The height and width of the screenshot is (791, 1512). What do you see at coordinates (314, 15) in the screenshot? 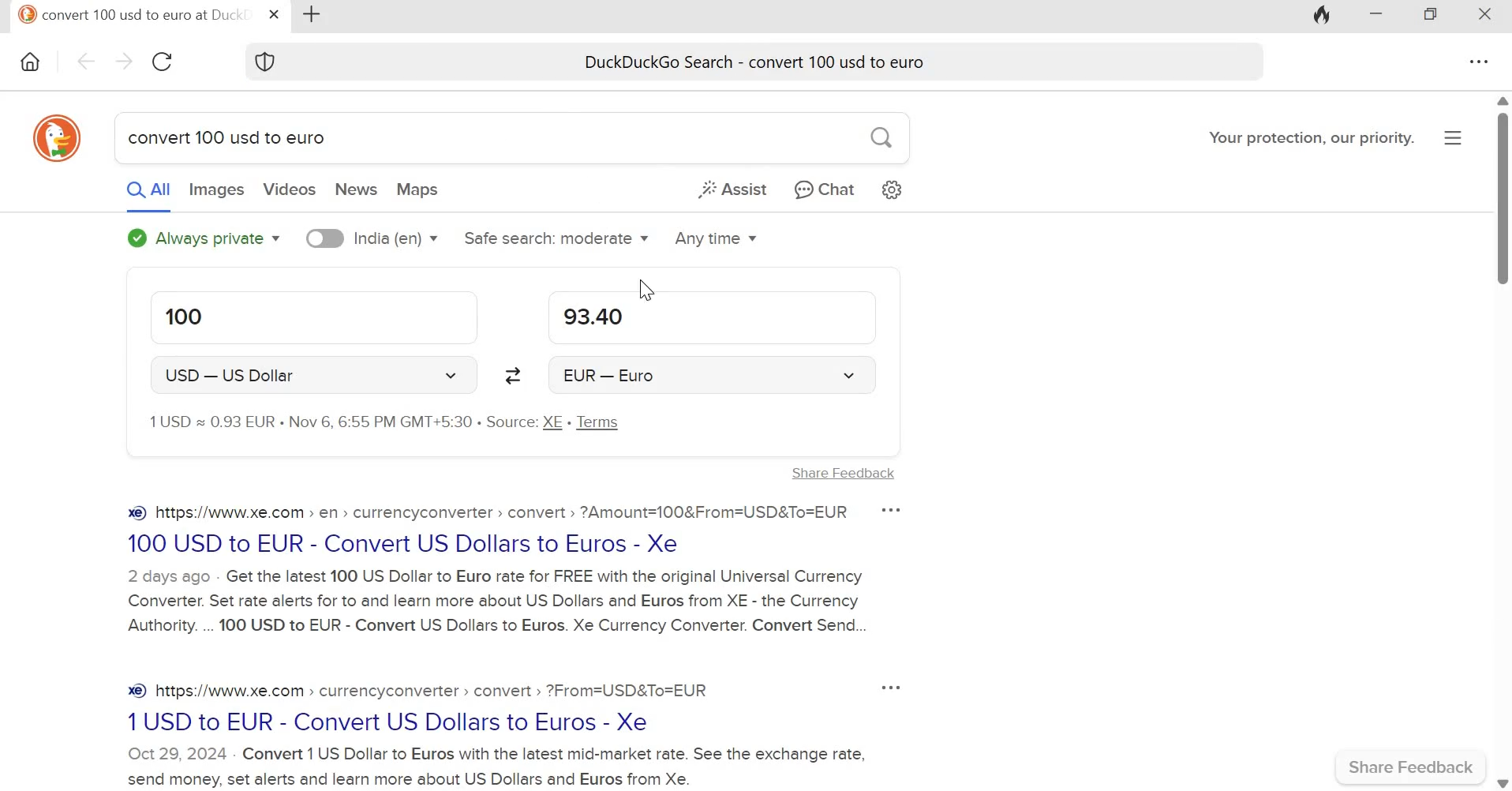
I see `new tab` at bounding box center [314, 15].